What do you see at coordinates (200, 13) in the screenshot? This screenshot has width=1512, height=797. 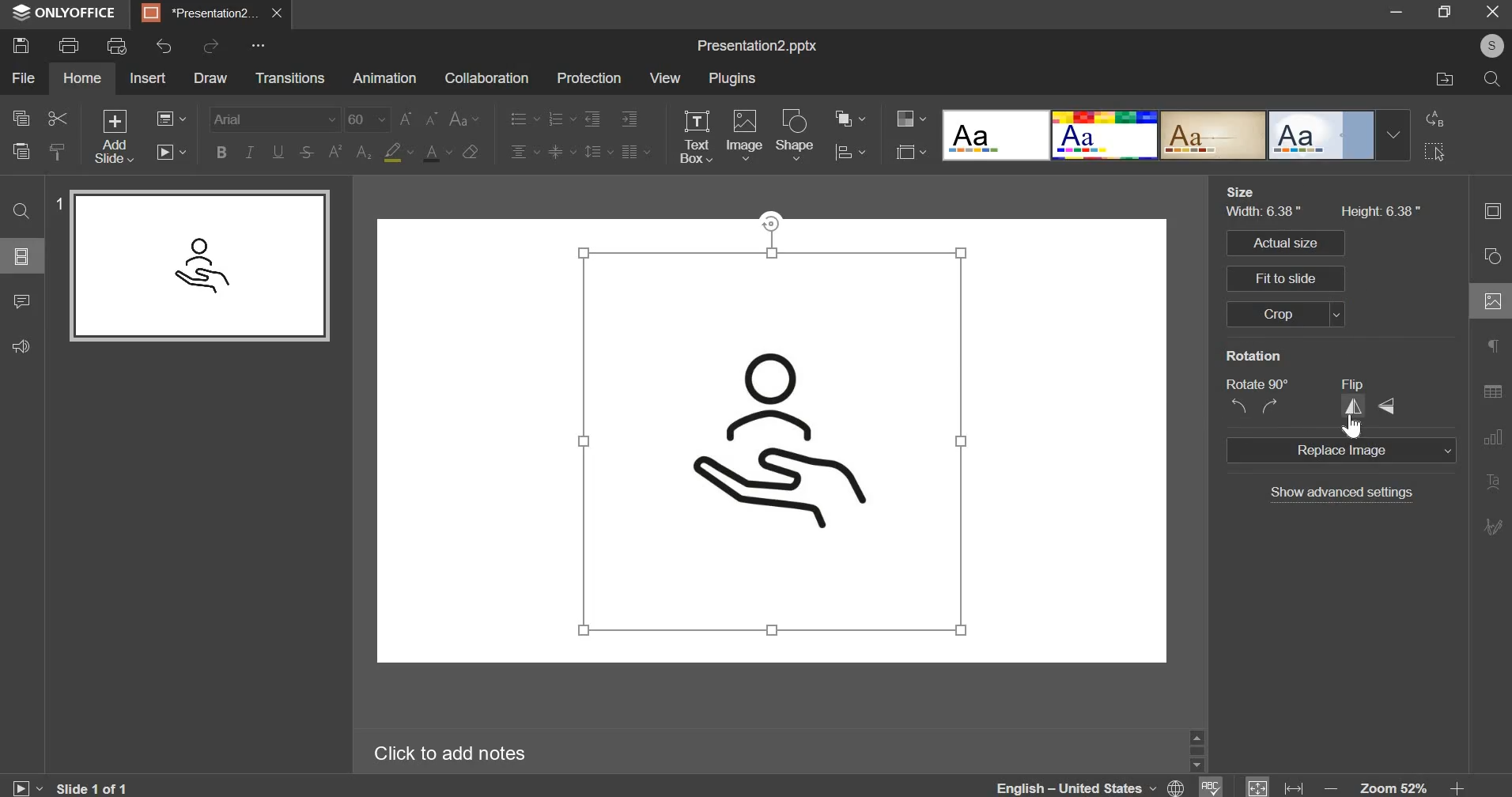 I see `Presentation2...` at bounding box center [200, 13].